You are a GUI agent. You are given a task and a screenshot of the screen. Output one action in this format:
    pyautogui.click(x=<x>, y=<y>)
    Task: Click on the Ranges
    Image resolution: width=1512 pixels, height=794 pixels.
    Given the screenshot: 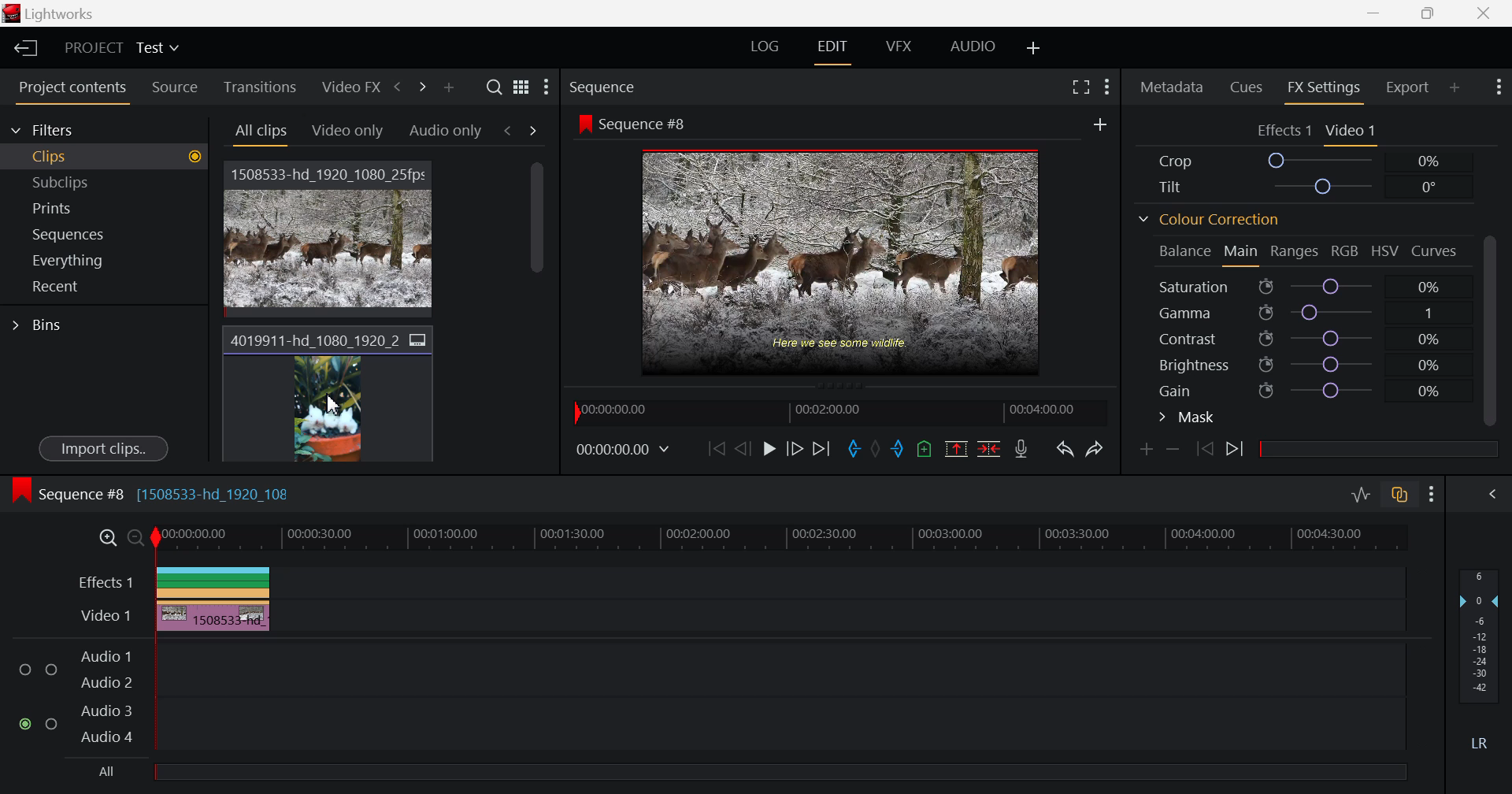 What is the action you would take?
    pyautogui.click(x=1296, y=252)
    